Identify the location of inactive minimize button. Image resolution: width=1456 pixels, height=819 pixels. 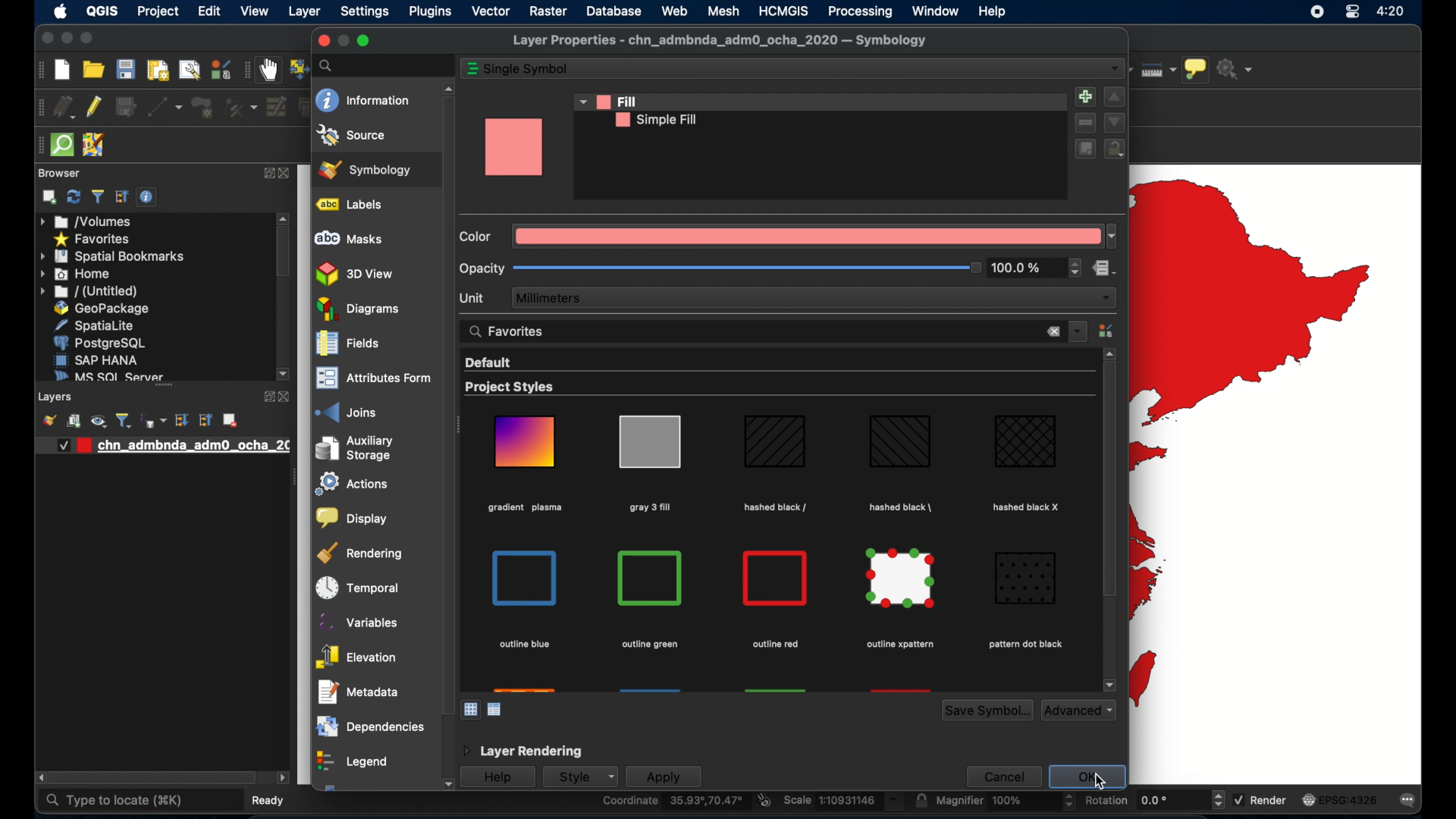
(343, 41).